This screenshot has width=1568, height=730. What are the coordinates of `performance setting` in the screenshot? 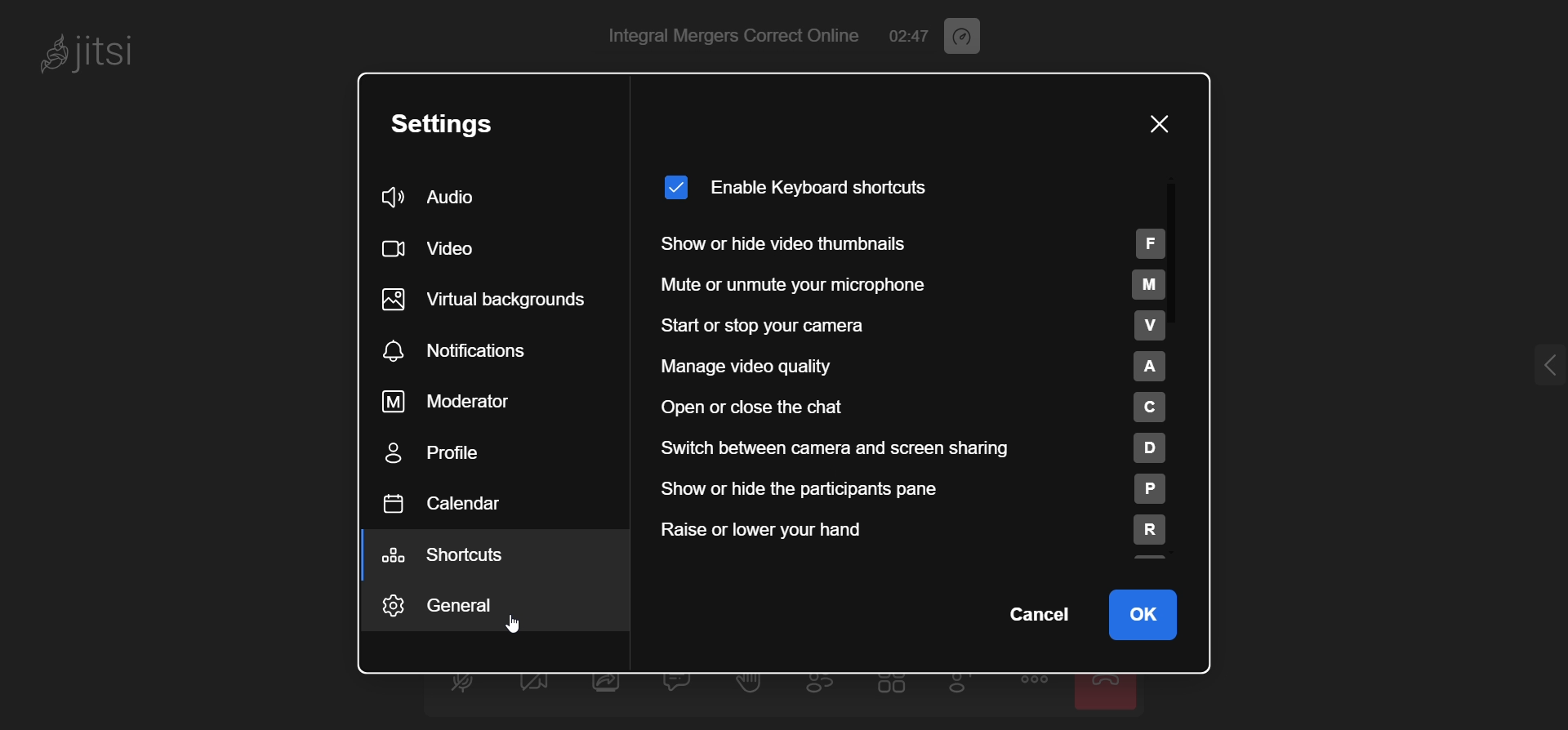 It's located at (979, 35).